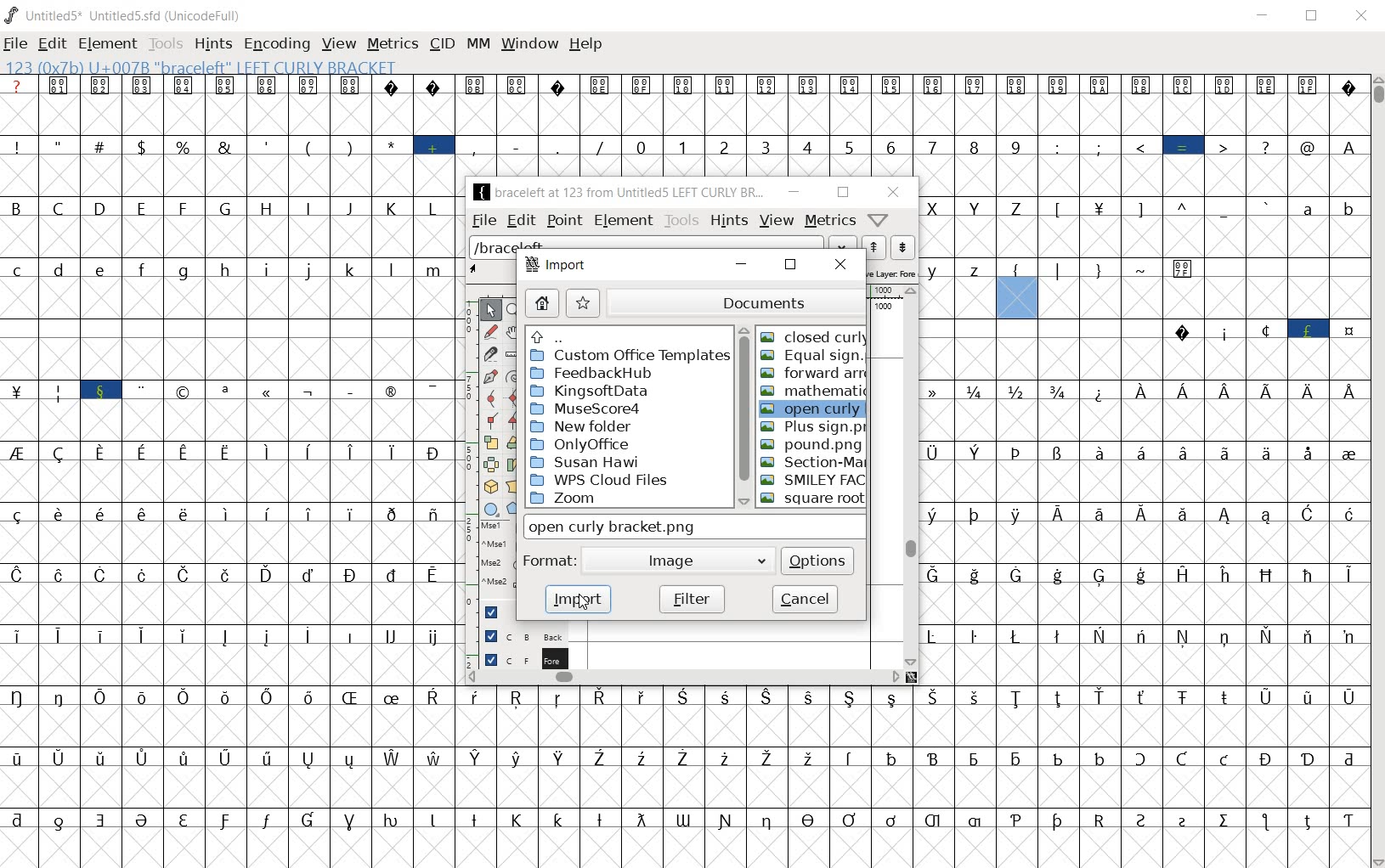 The image size is (1385, 868). I want to click on SMILEY FACE, so click(813, 479).